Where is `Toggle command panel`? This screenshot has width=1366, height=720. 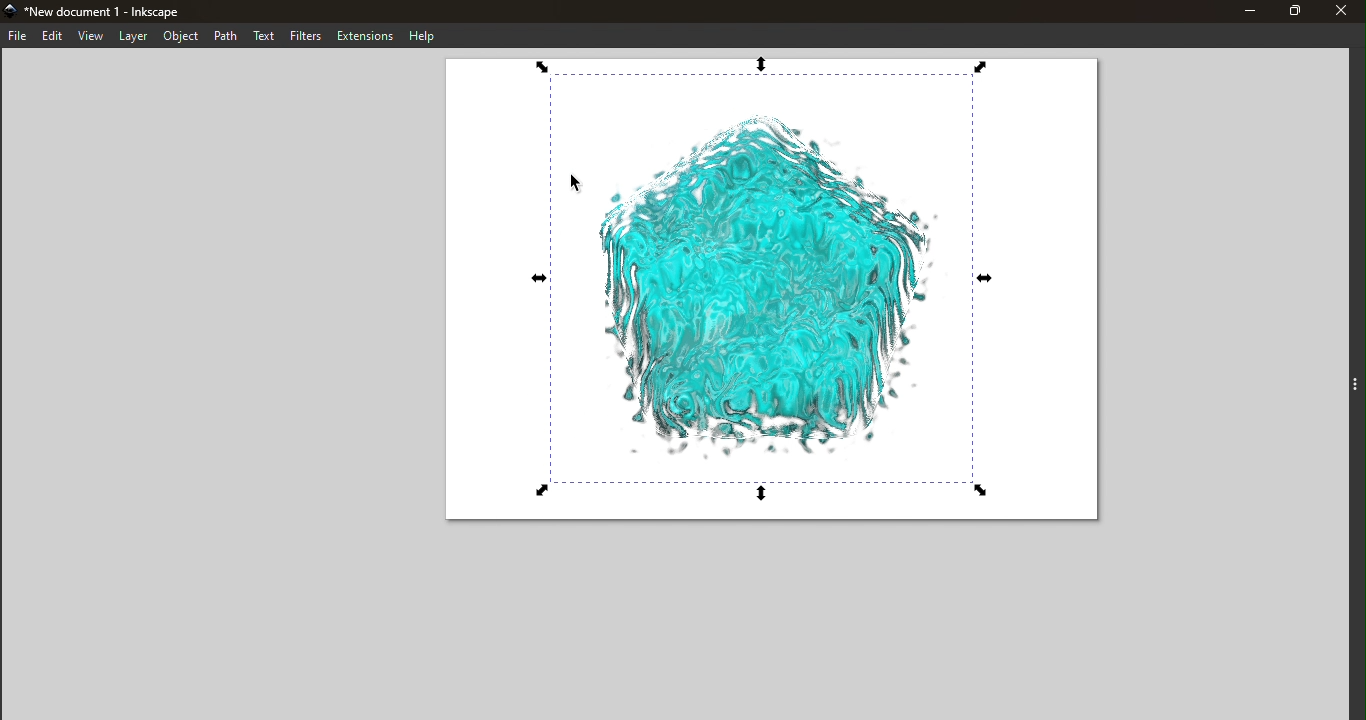 Toggle command panel is located at coordinates (1357, 387).